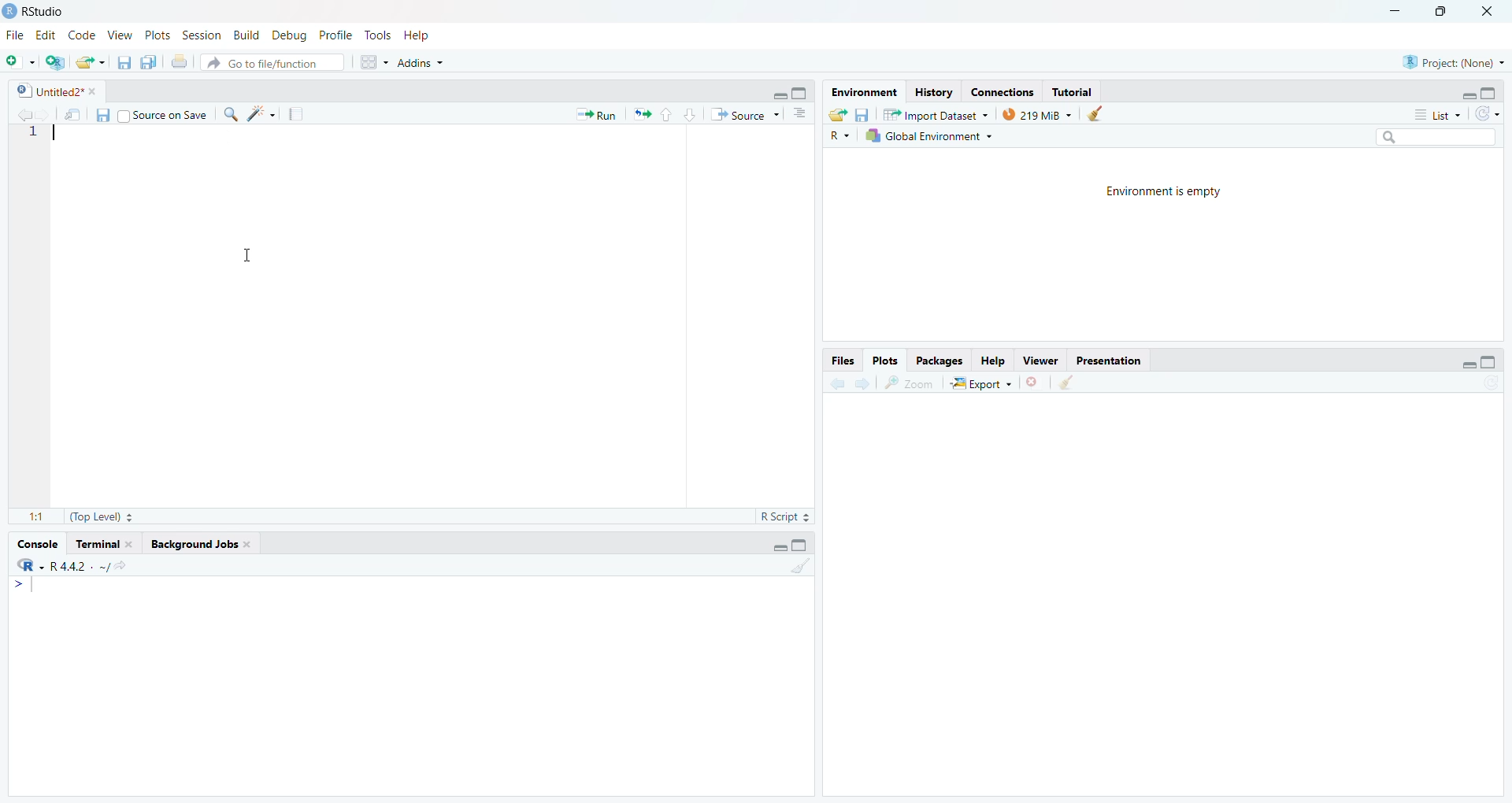  Describe the element at coordinates (1468, 94) in the screenshot. I see `Hide` at that location.